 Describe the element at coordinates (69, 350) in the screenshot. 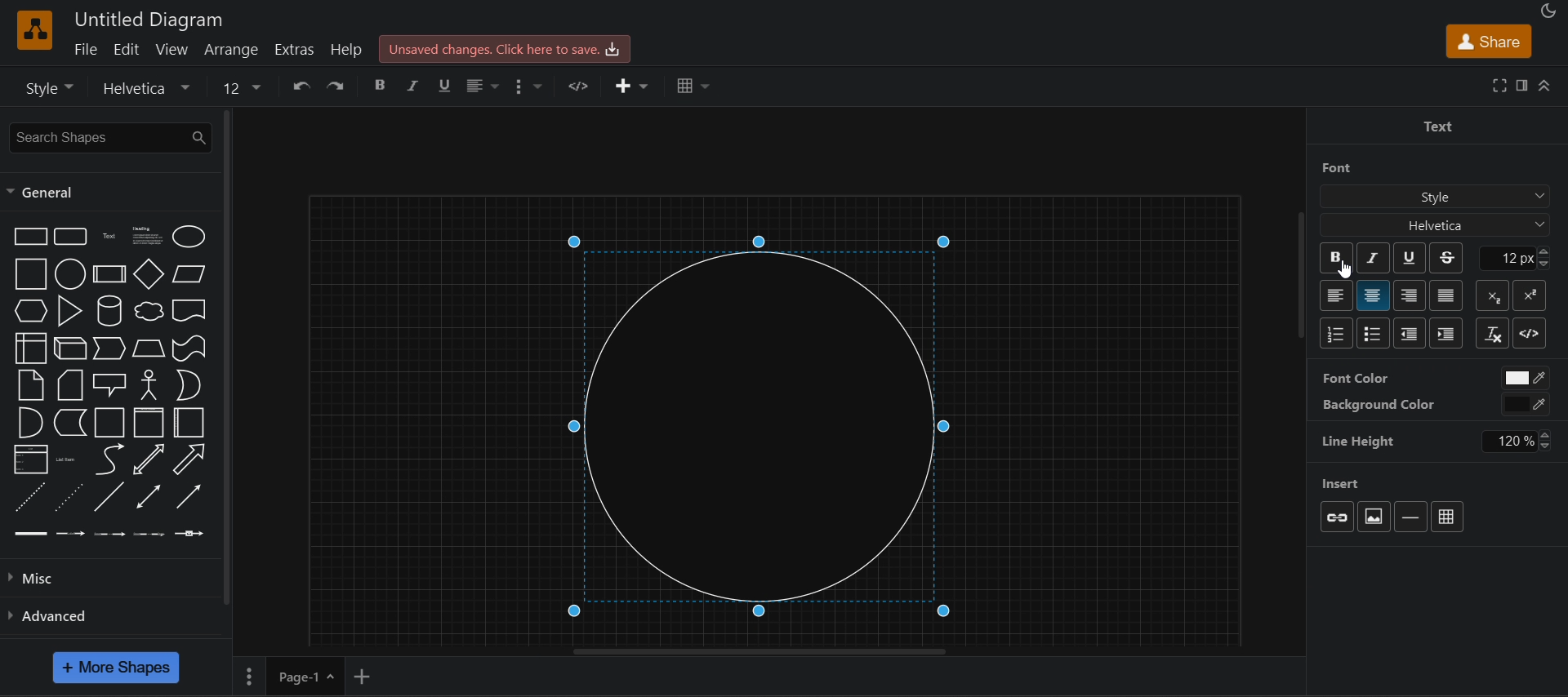

I see `cube` at that location.